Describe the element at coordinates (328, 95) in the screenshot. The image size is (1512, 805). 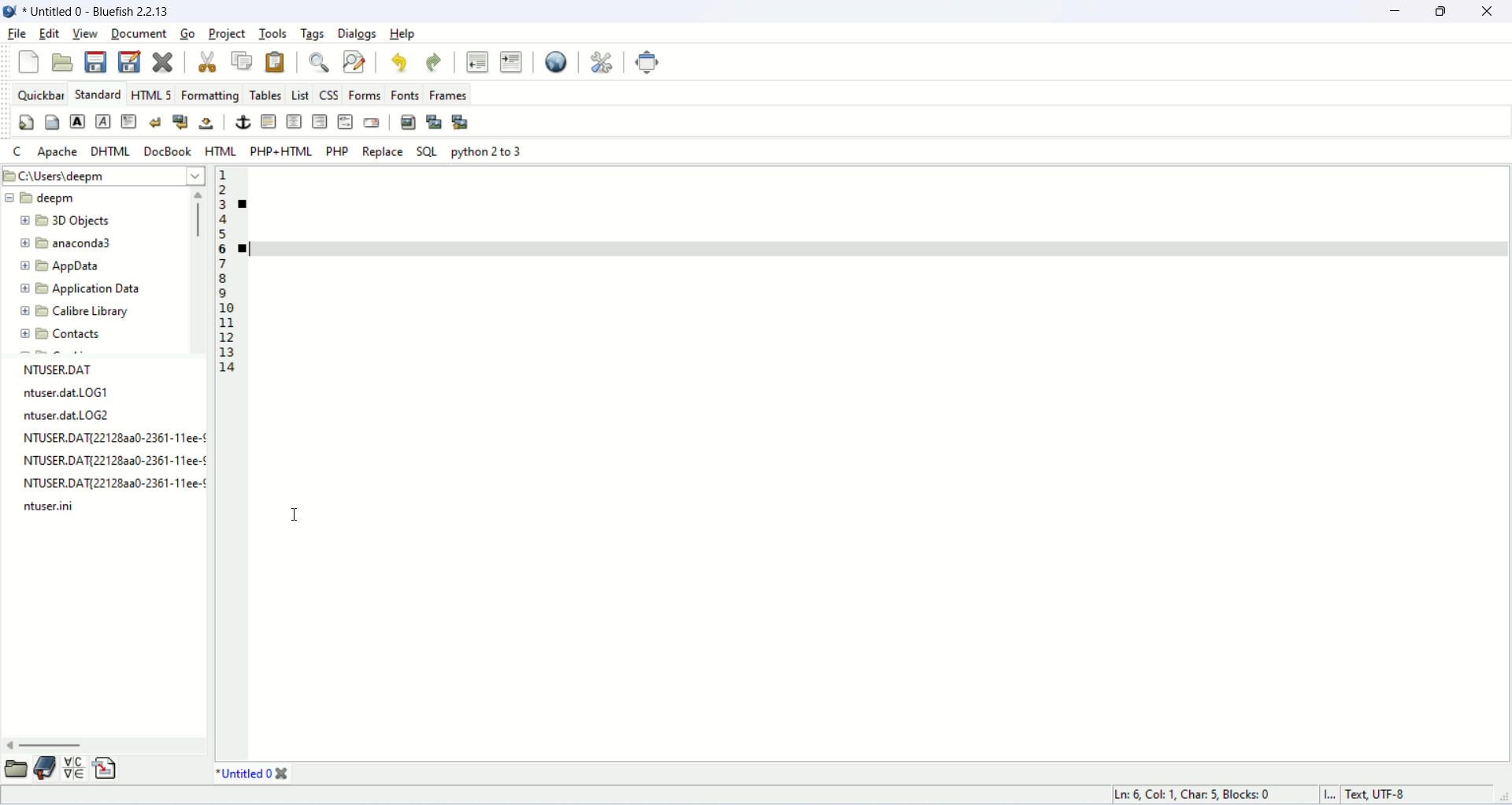
I see `css` at that location.